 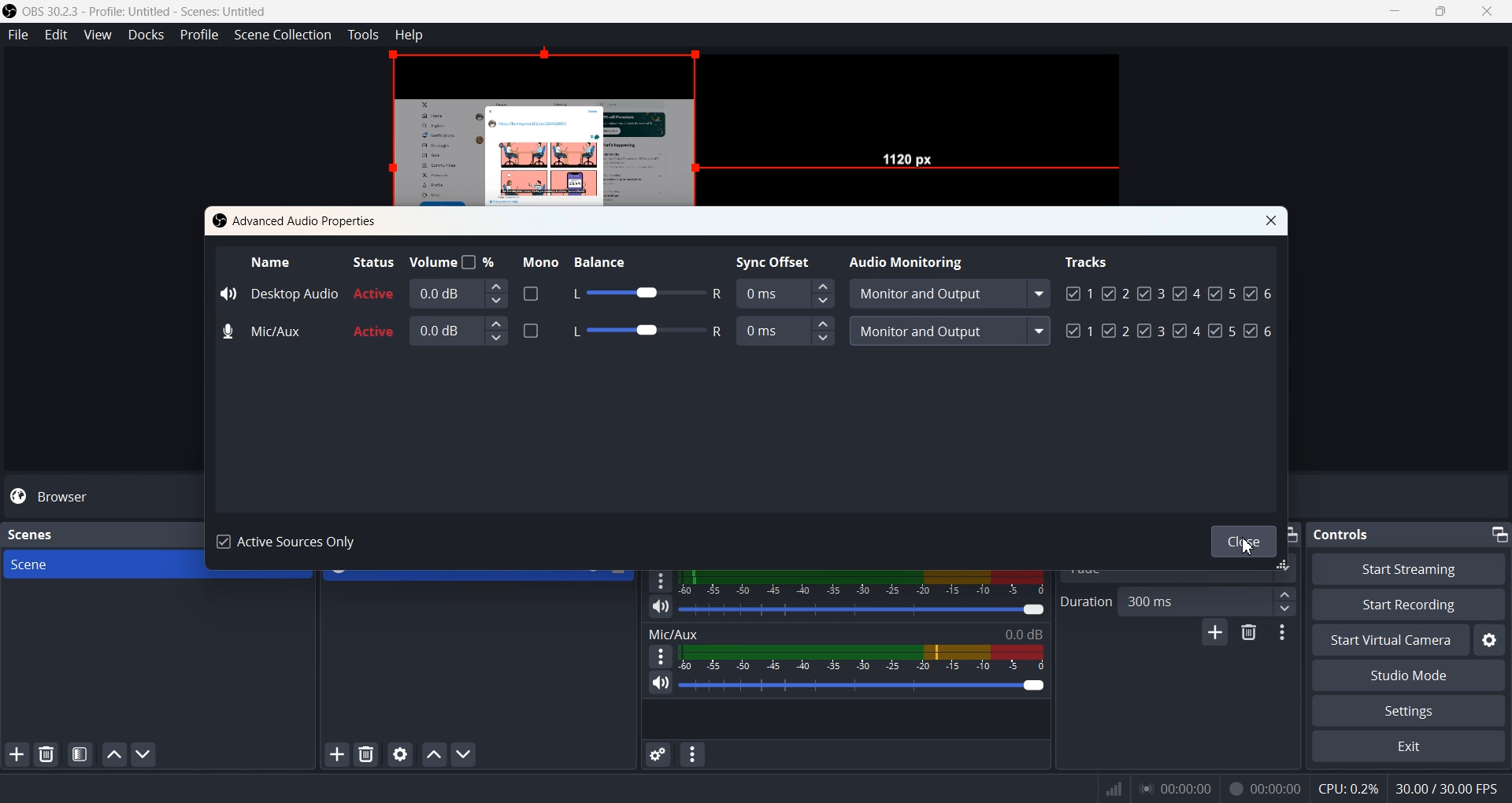 What do you see at coordinates (146, 35) in the screenshot?
I see `Docks` at bounding box center [146, 35].